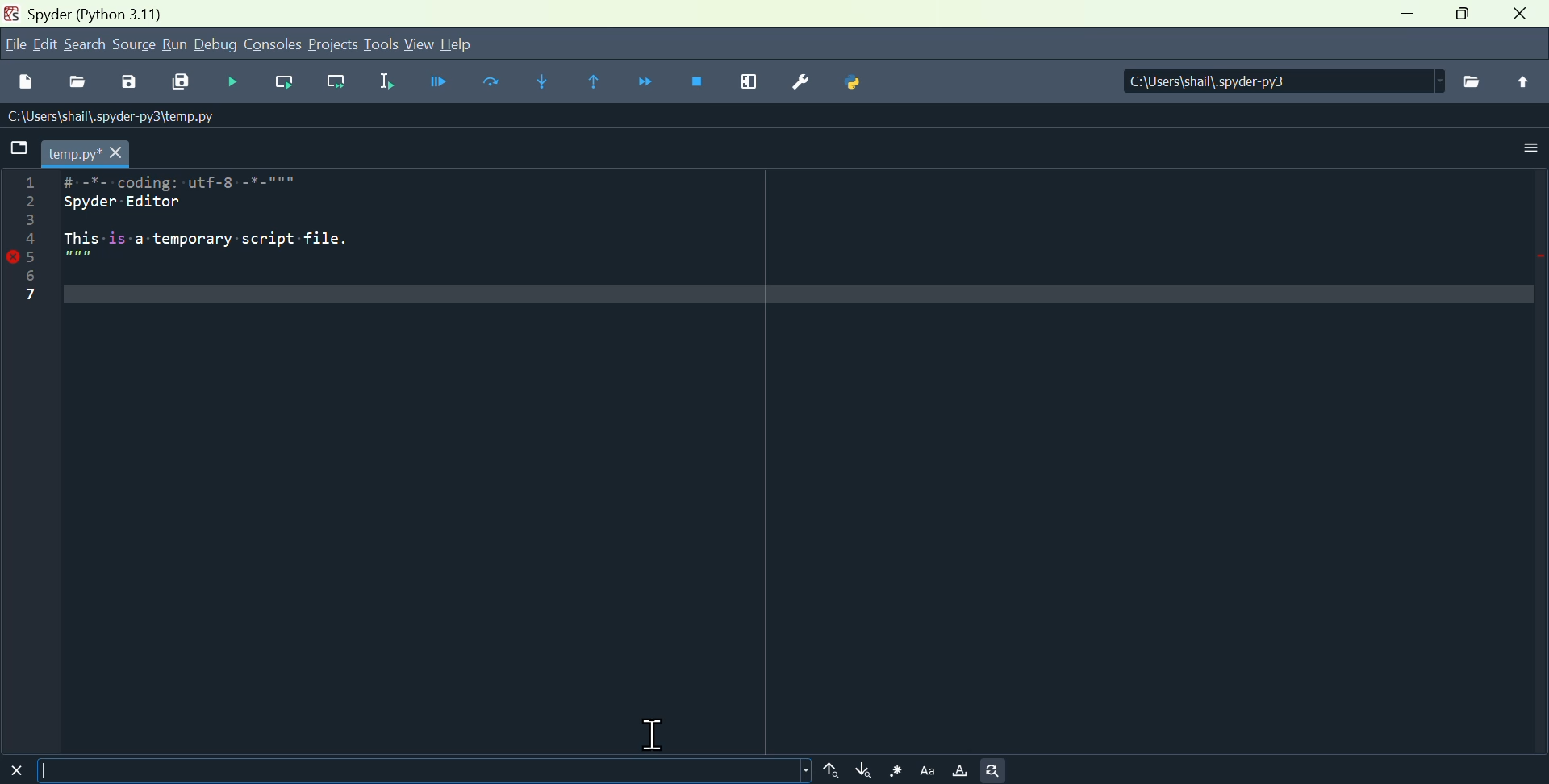 This screenshot has width=1549, height=784. What do you see at coordinates (1531, 148) in the screenshot?
I see `More options` at bounding box center [1531, 148].